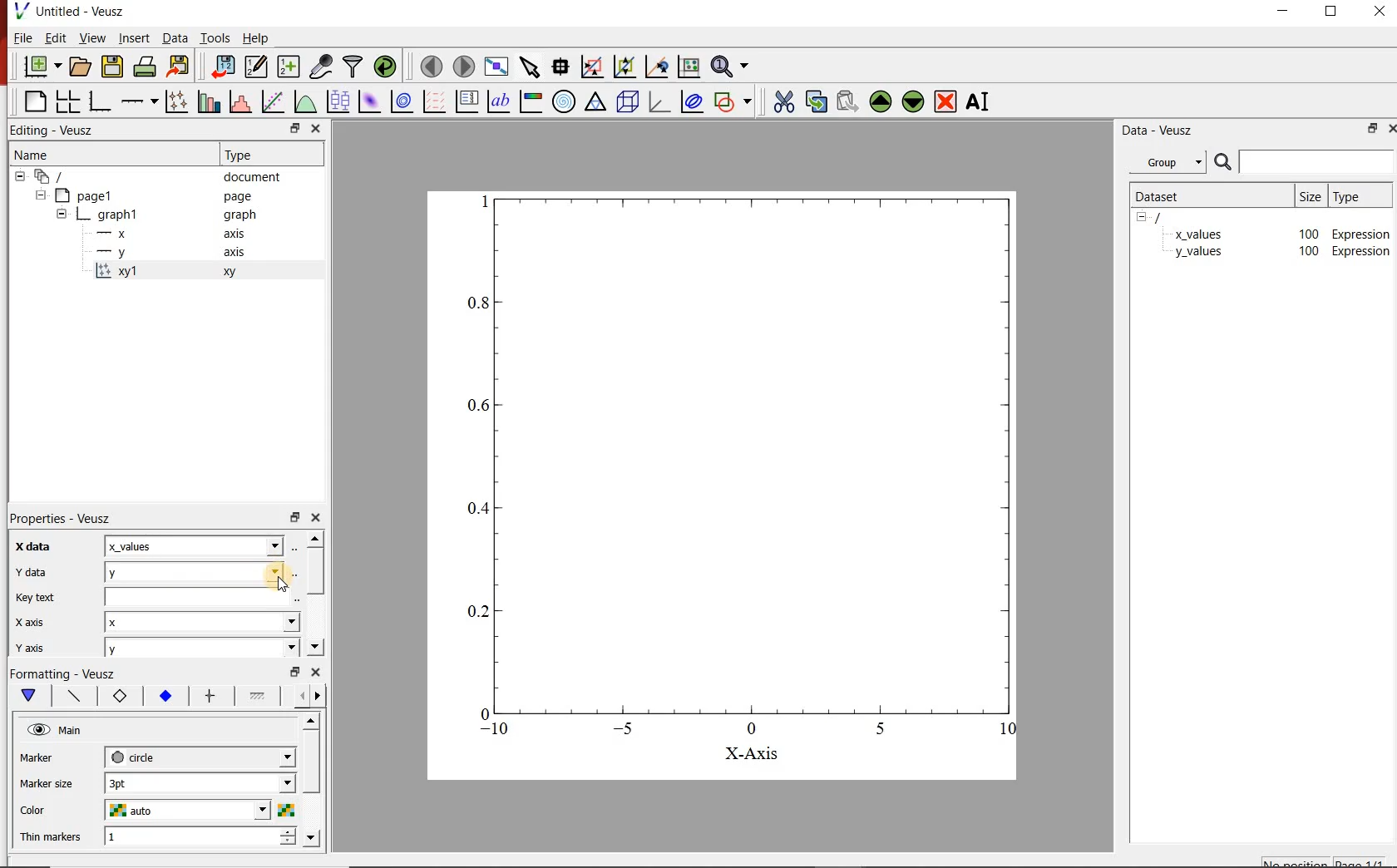 This screenshot has height=868, width=1397. Describe the element at coordinates (291, 67) in the screenshot. I see `create new datasets using ranges, parametrically or as functions of existing datasets` at that location.